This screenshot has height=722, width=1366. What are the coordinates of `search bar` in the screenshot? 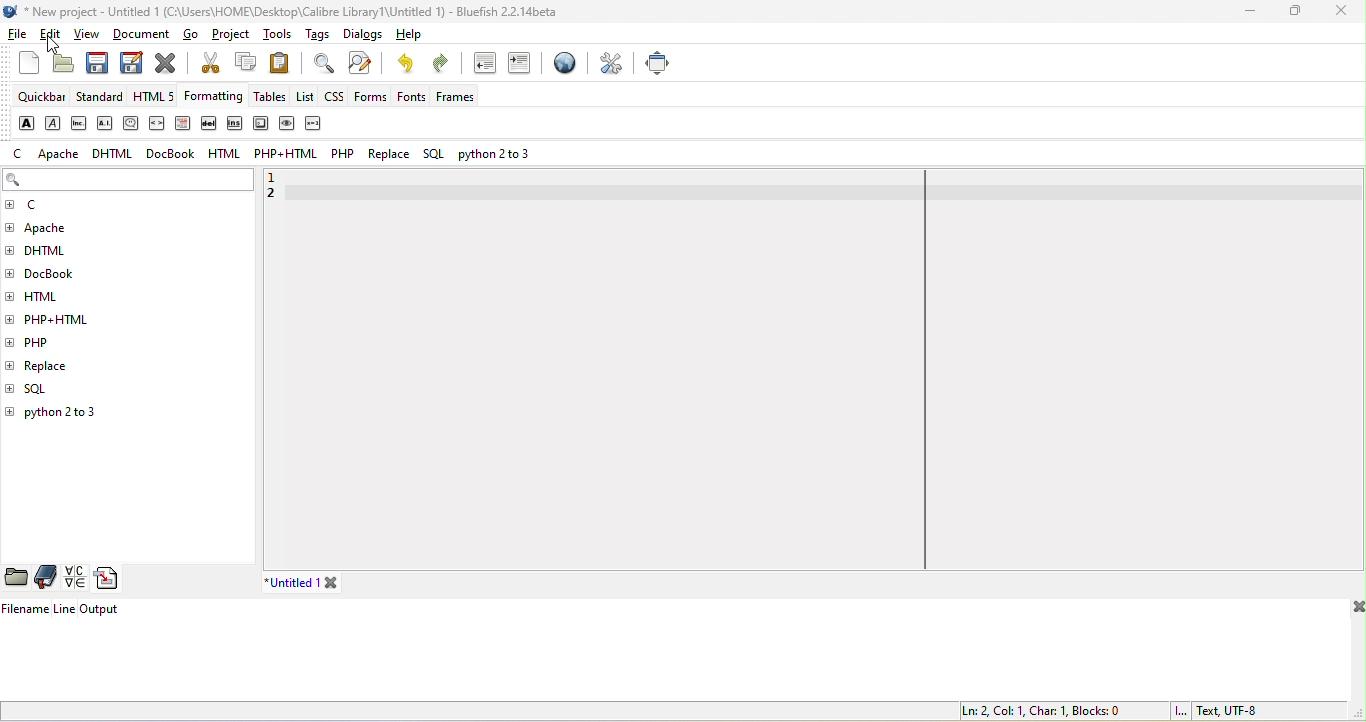 It's located at (128, 181).